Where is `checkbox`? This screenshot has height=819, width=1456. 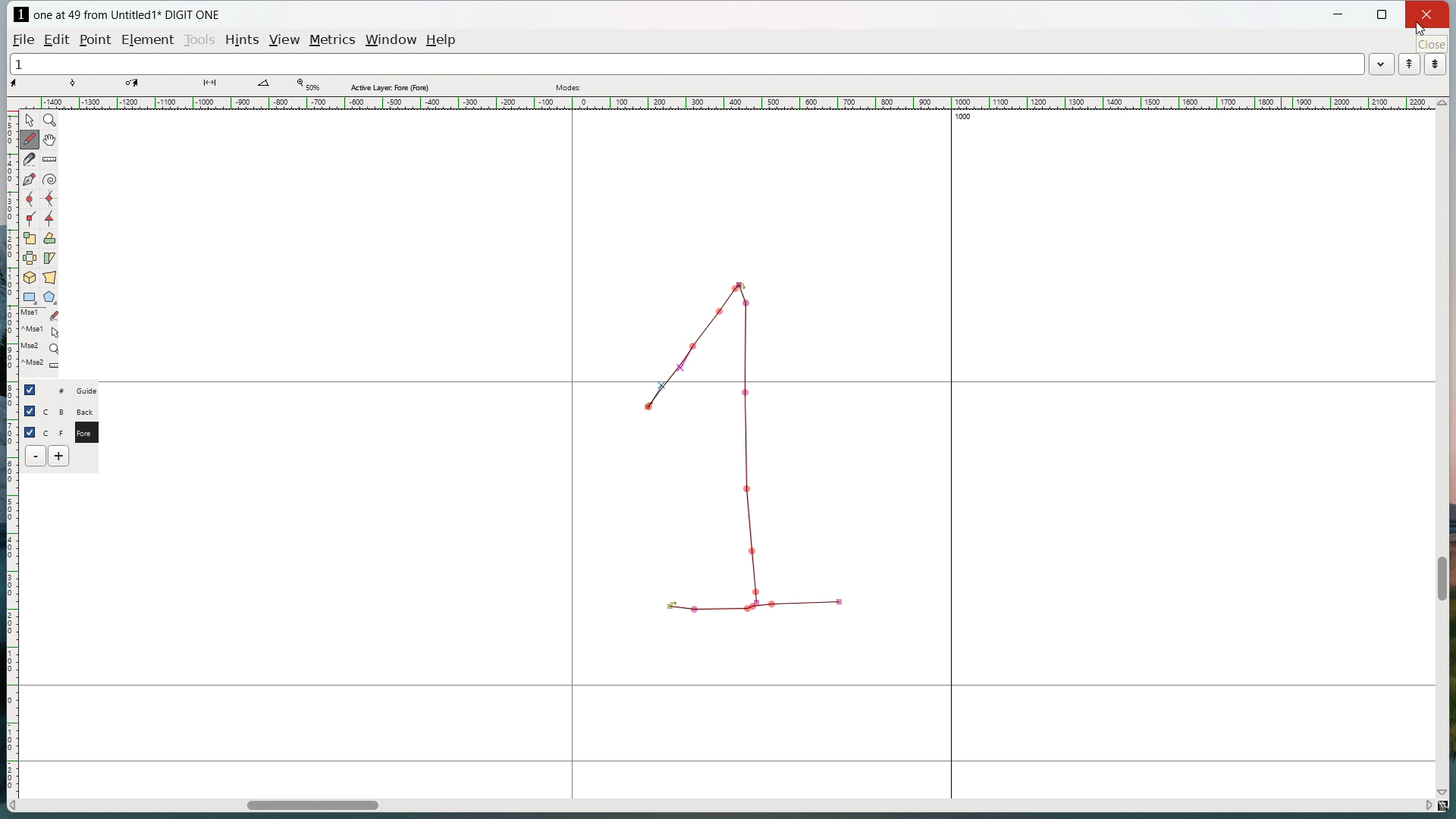
checkbox is located at coordinates (33, 389).